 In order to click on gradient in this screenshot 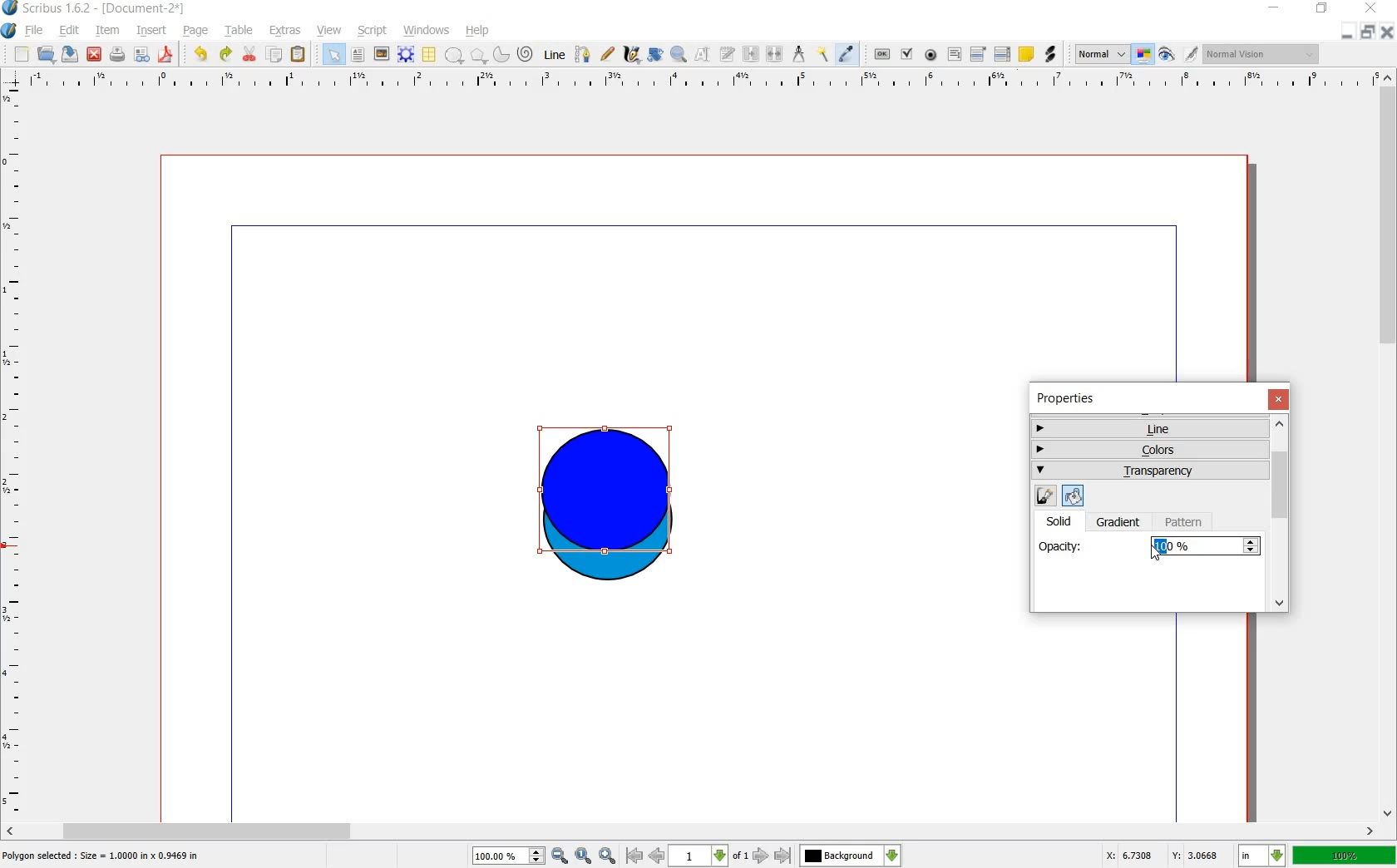, I will do `click(1119, 523)`.